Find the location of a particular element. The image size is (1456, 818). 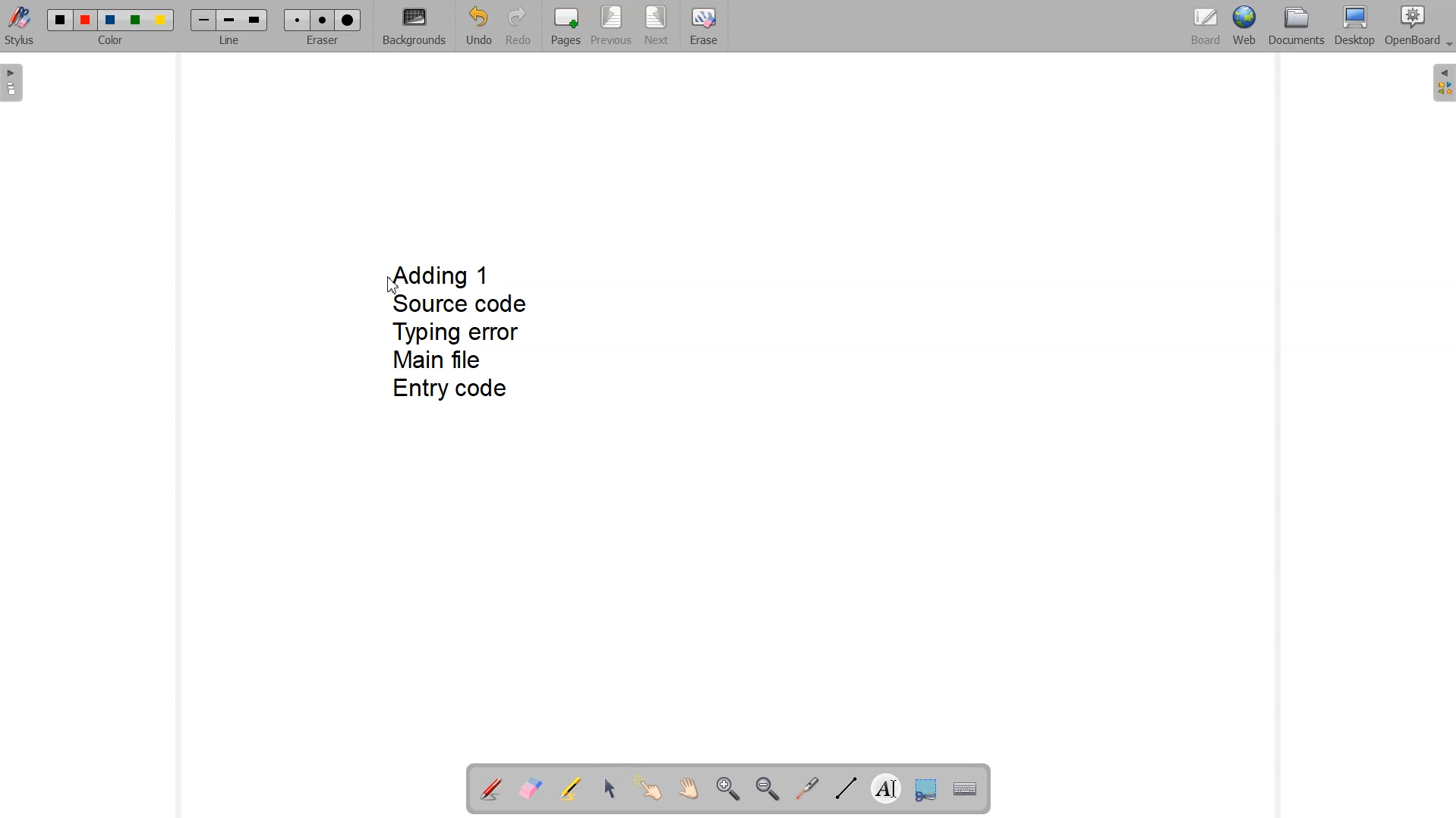

Highlight is located at coordinates (572, 788).